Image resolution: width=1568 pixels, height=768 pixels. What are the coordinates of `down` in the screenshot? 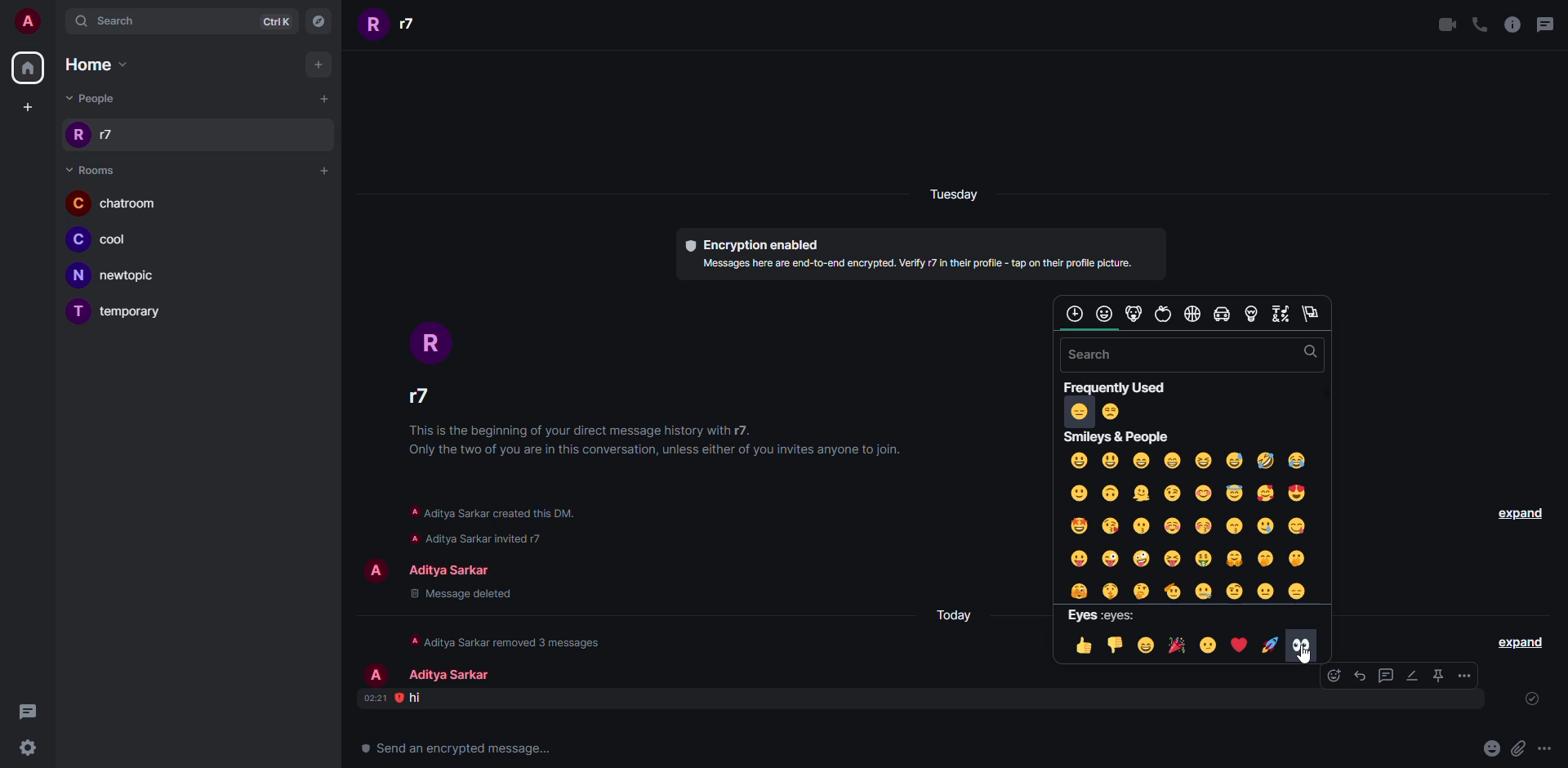 It's located at (1116, 645).